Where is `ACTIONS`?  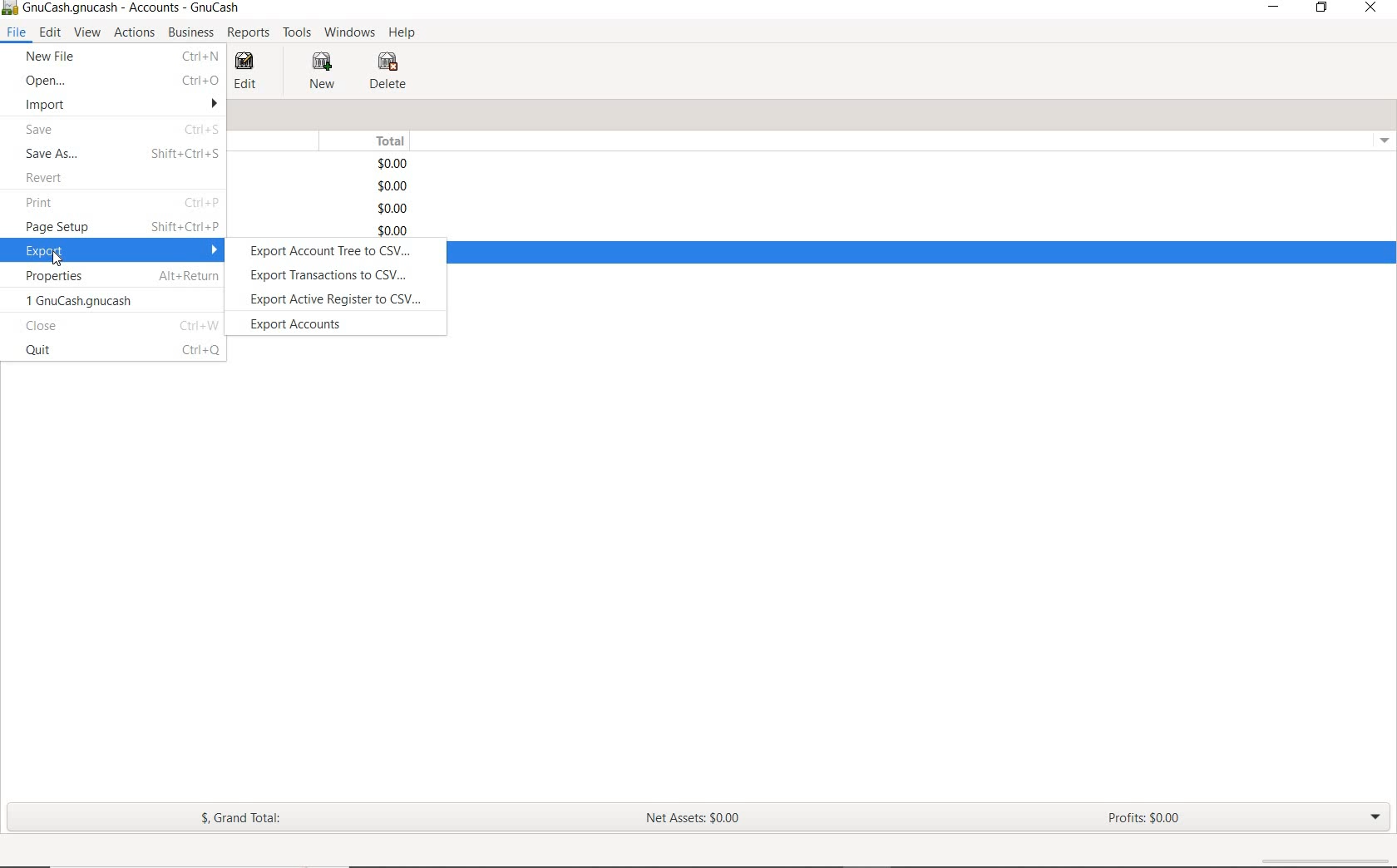 ACTIONS is located at coordinates (135, 36).